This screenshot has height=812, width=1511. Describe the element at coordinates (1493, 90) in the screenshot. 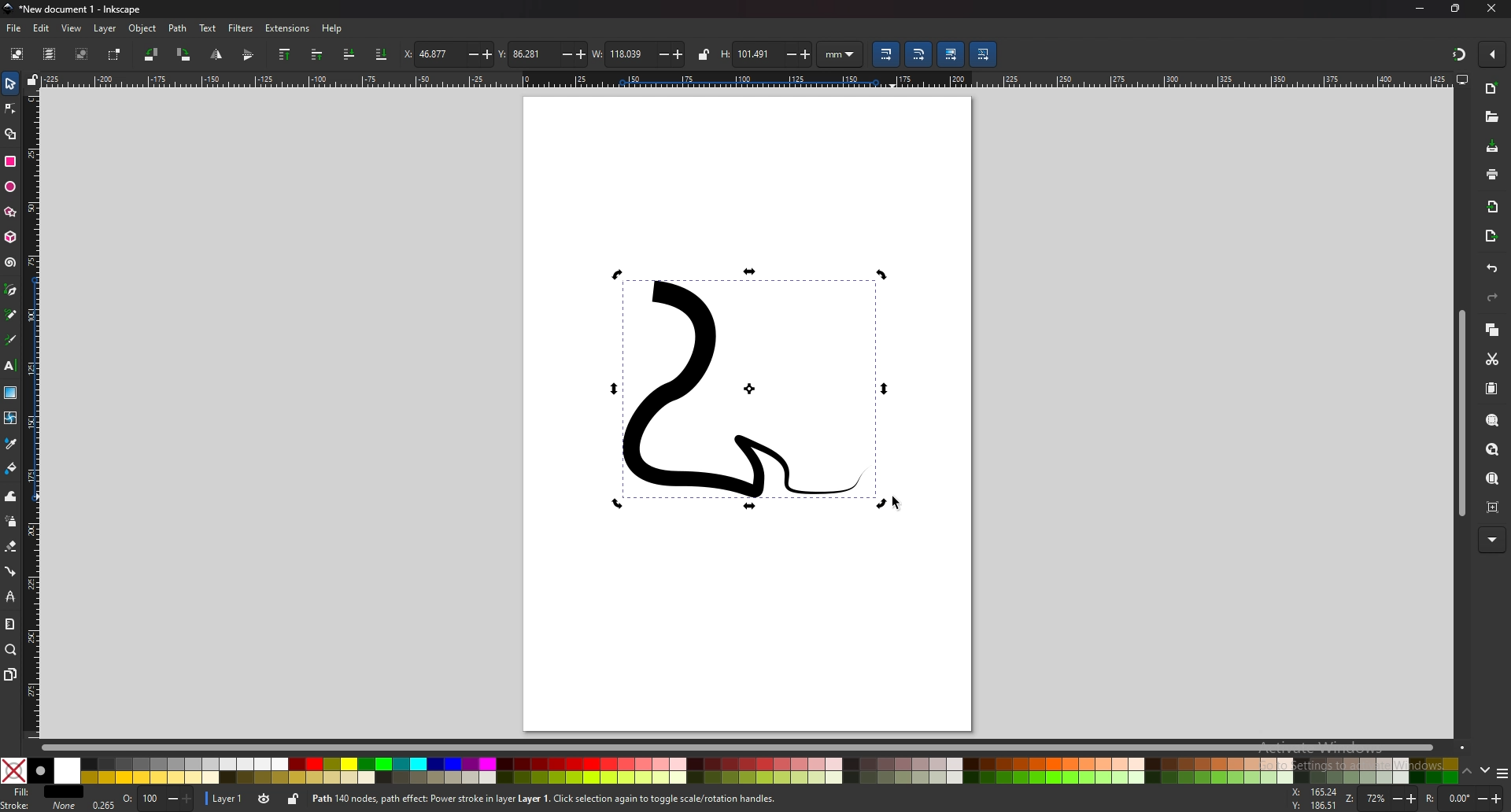

I see `new` at that location.